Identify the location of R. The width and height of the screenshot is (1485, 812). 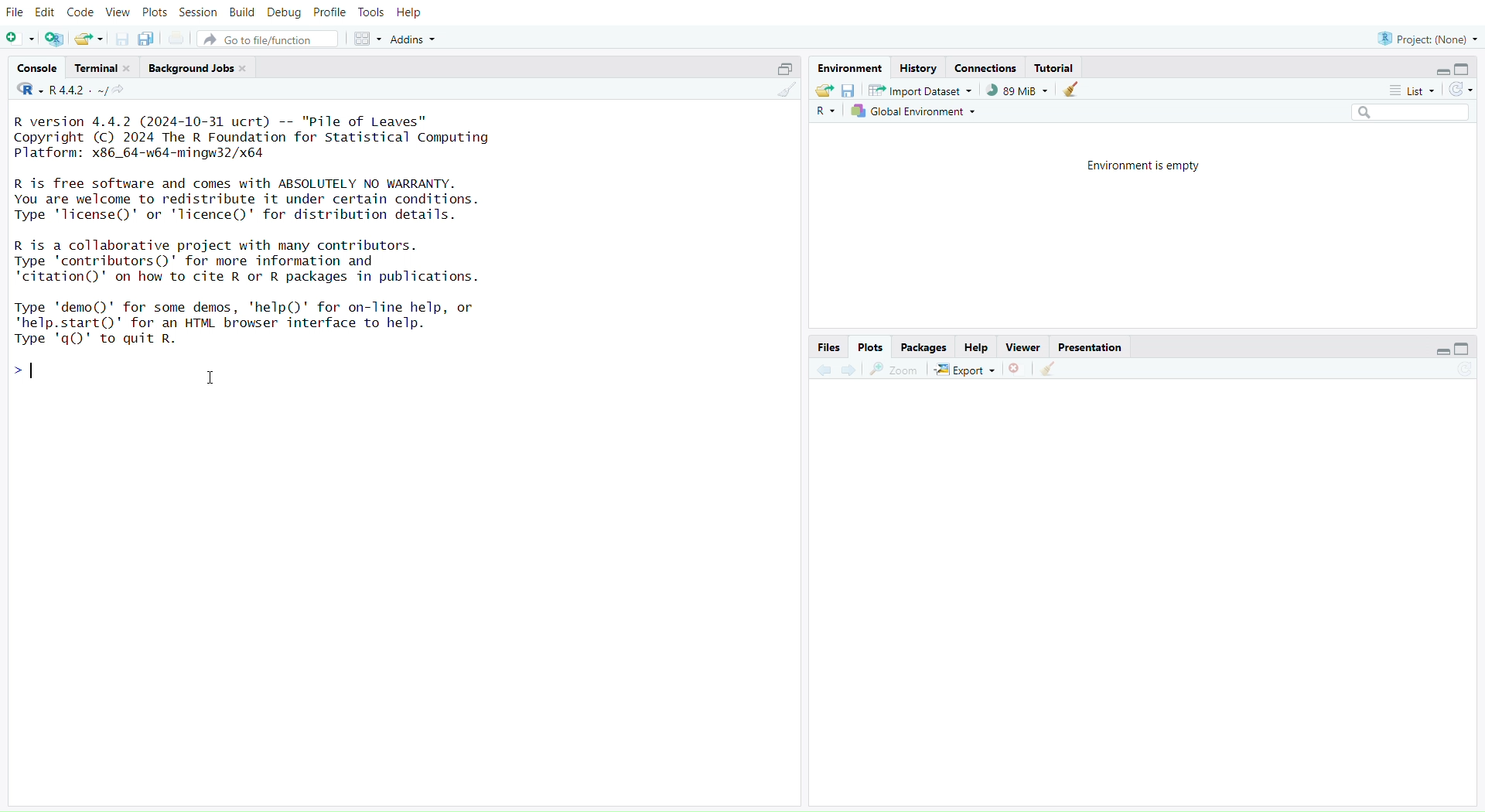
(830, 111).